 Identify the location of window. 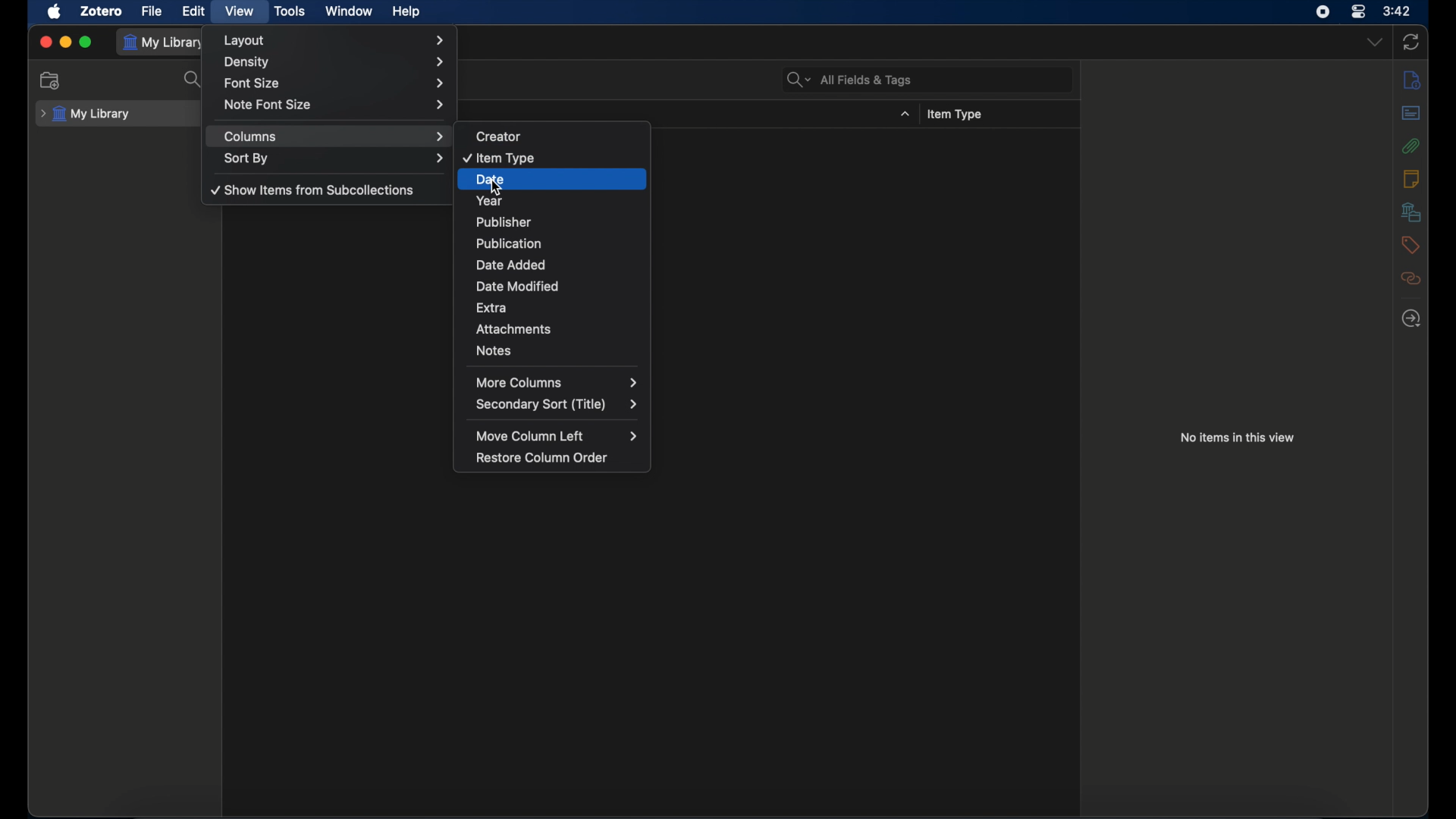
(350, 11).